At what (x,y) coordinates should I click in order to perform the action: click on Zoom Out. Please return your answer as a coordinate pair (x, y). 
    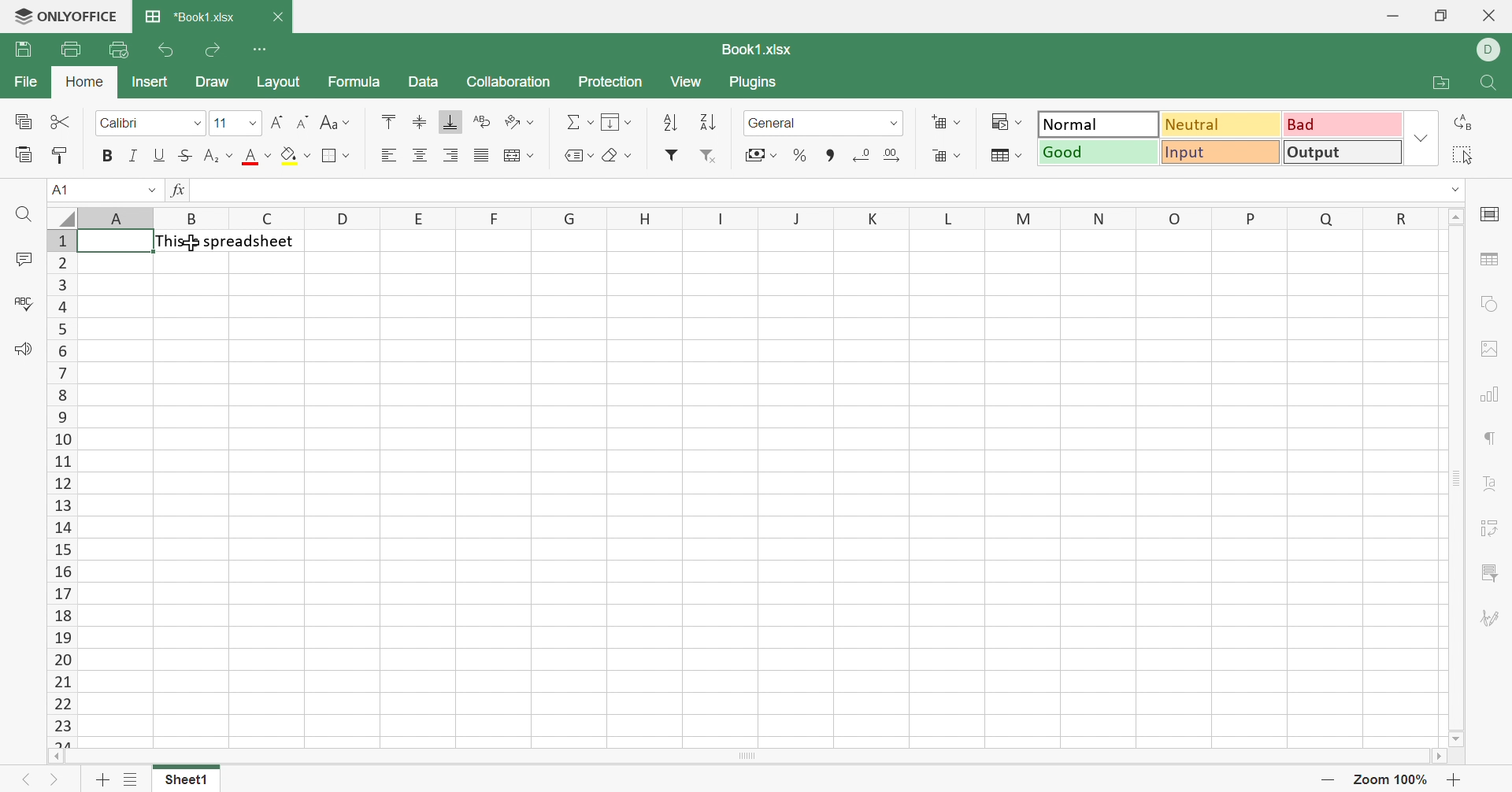
    Looking at the image, I should click on (1329, 778).